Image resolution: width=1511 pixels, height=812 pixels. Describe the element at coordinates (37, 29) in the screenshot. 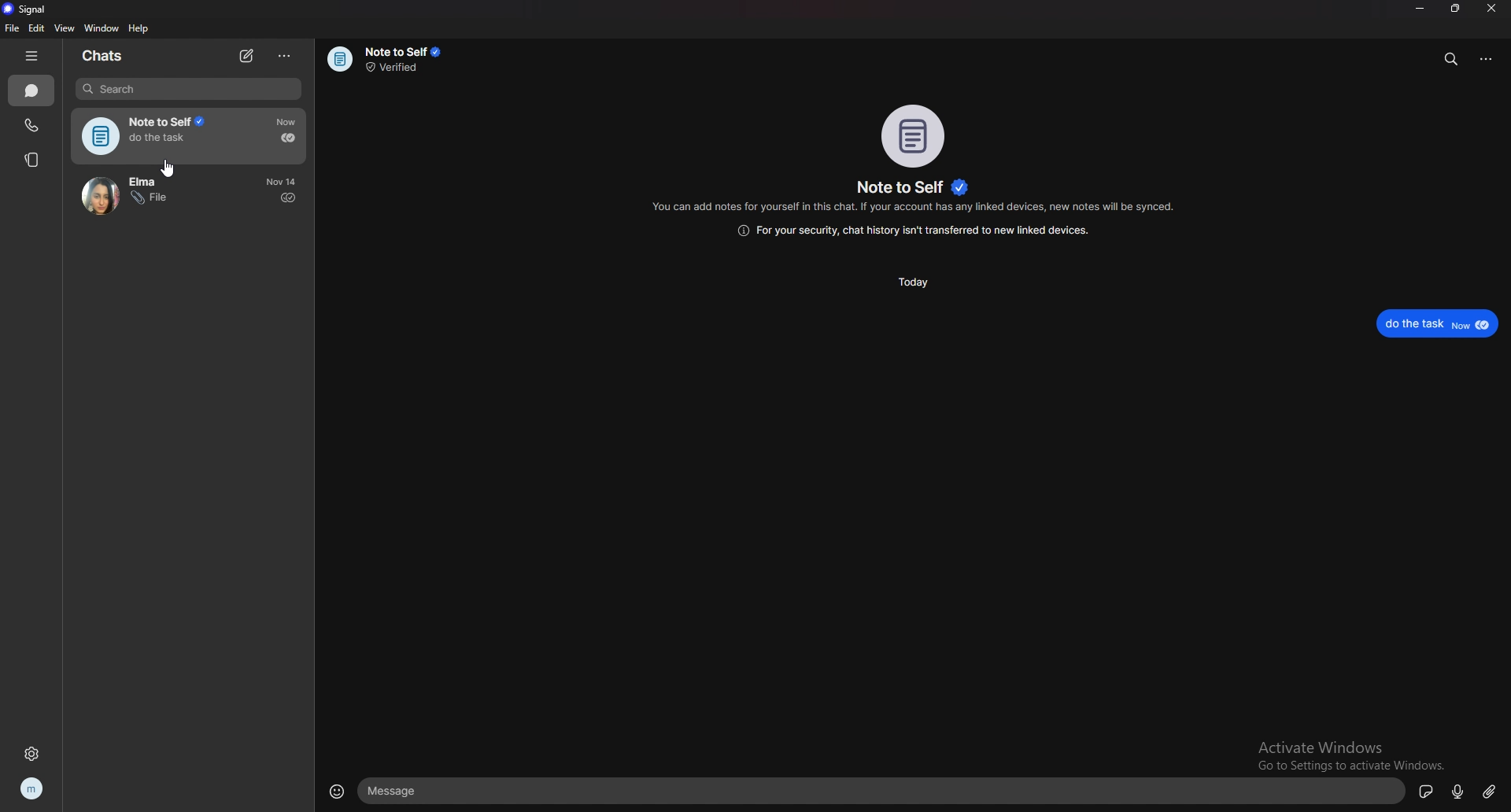

I see `edit` at that location.